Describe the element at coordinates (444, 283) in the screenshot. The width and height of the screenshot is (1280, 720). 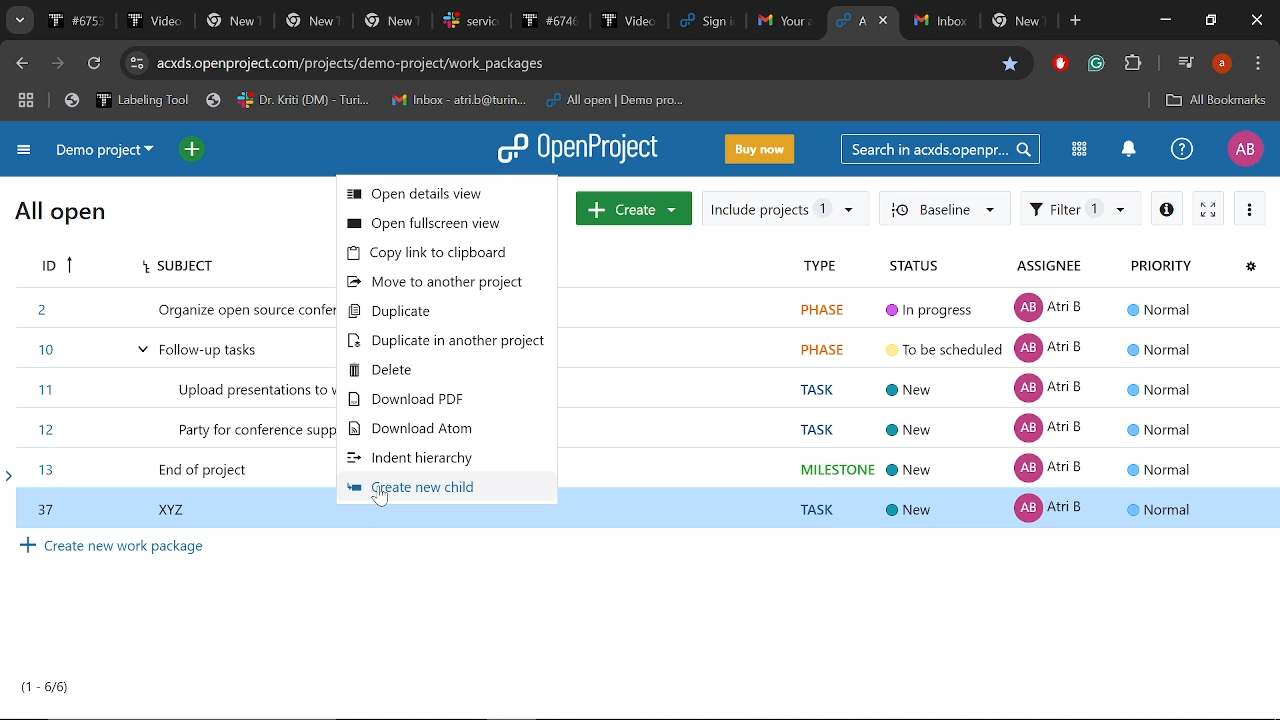
I see `Move to another project` at that location.